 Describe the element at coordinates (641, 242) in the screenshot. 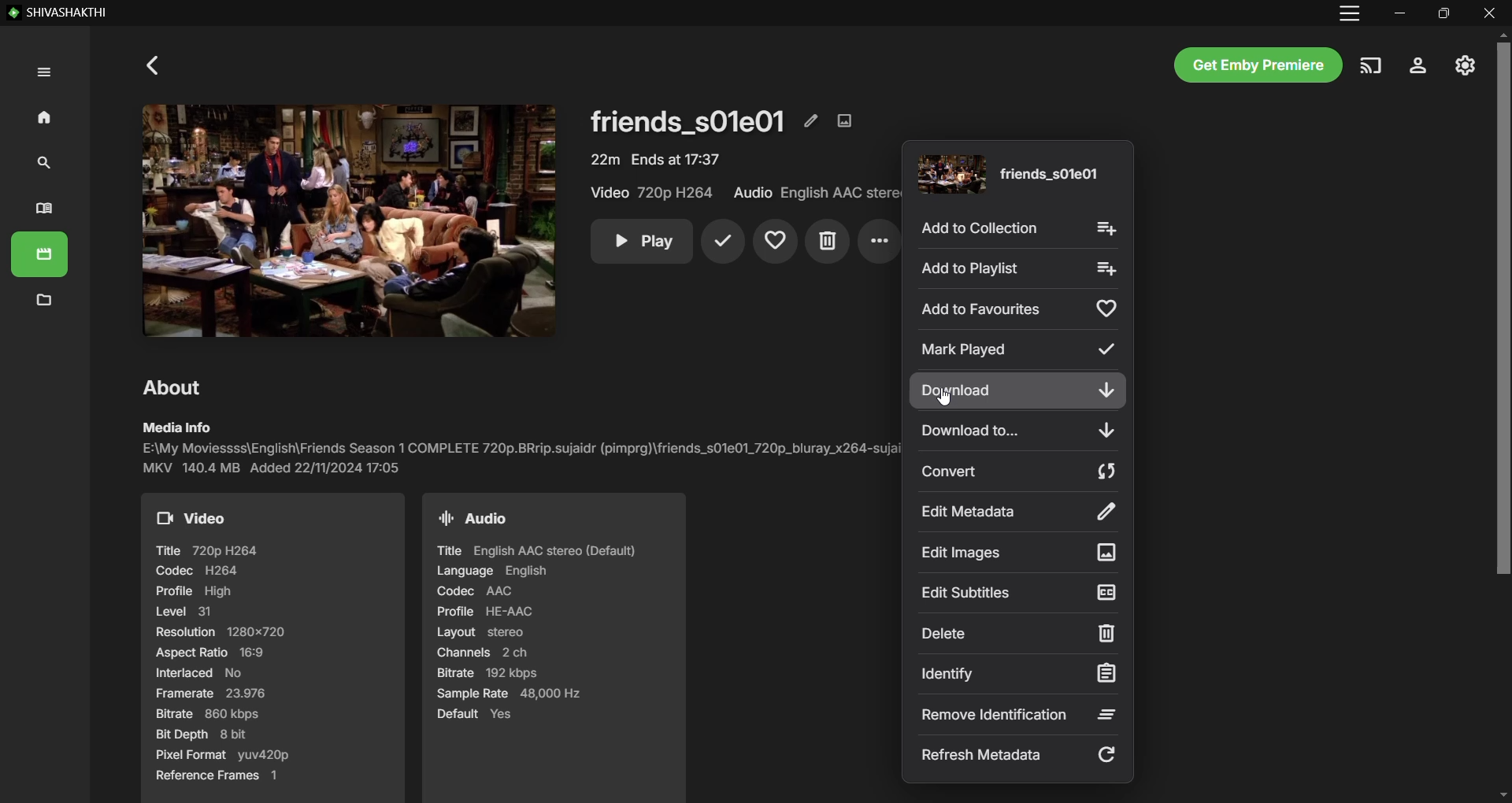

I see `Play` at that location.